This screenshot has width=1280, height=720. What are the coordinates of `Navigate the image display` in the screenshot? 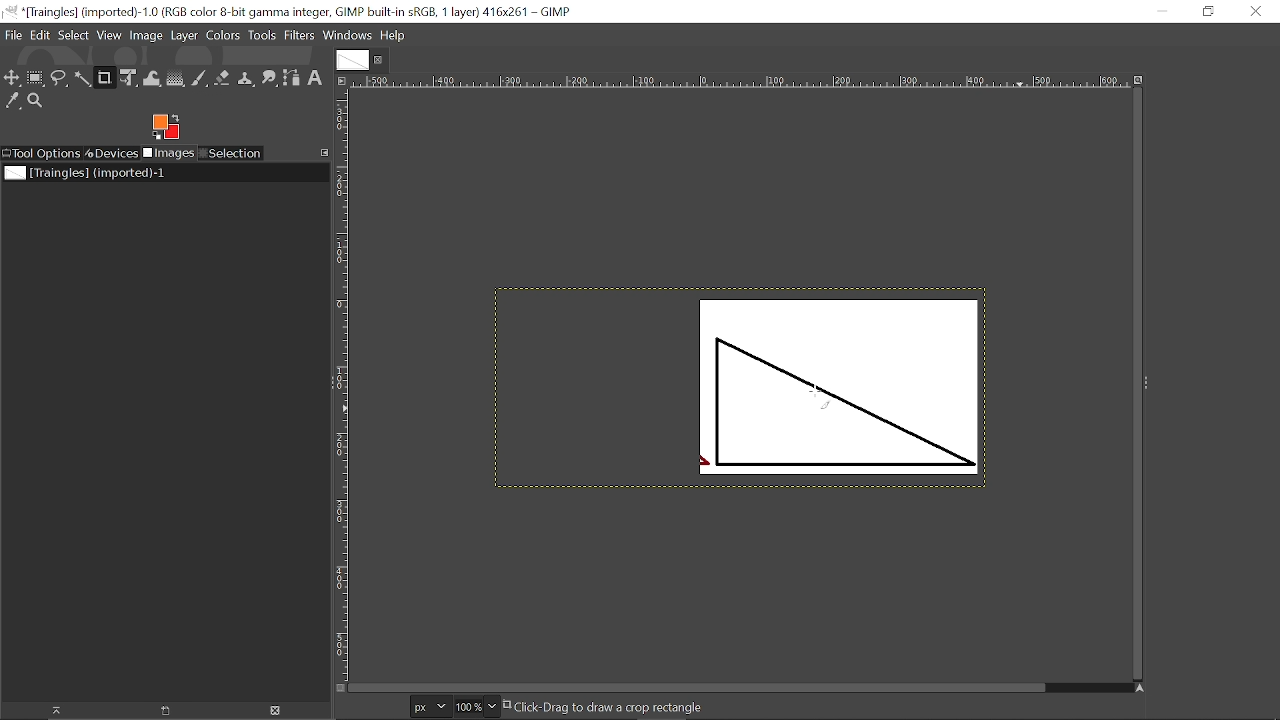 It's located at (1141, 688).